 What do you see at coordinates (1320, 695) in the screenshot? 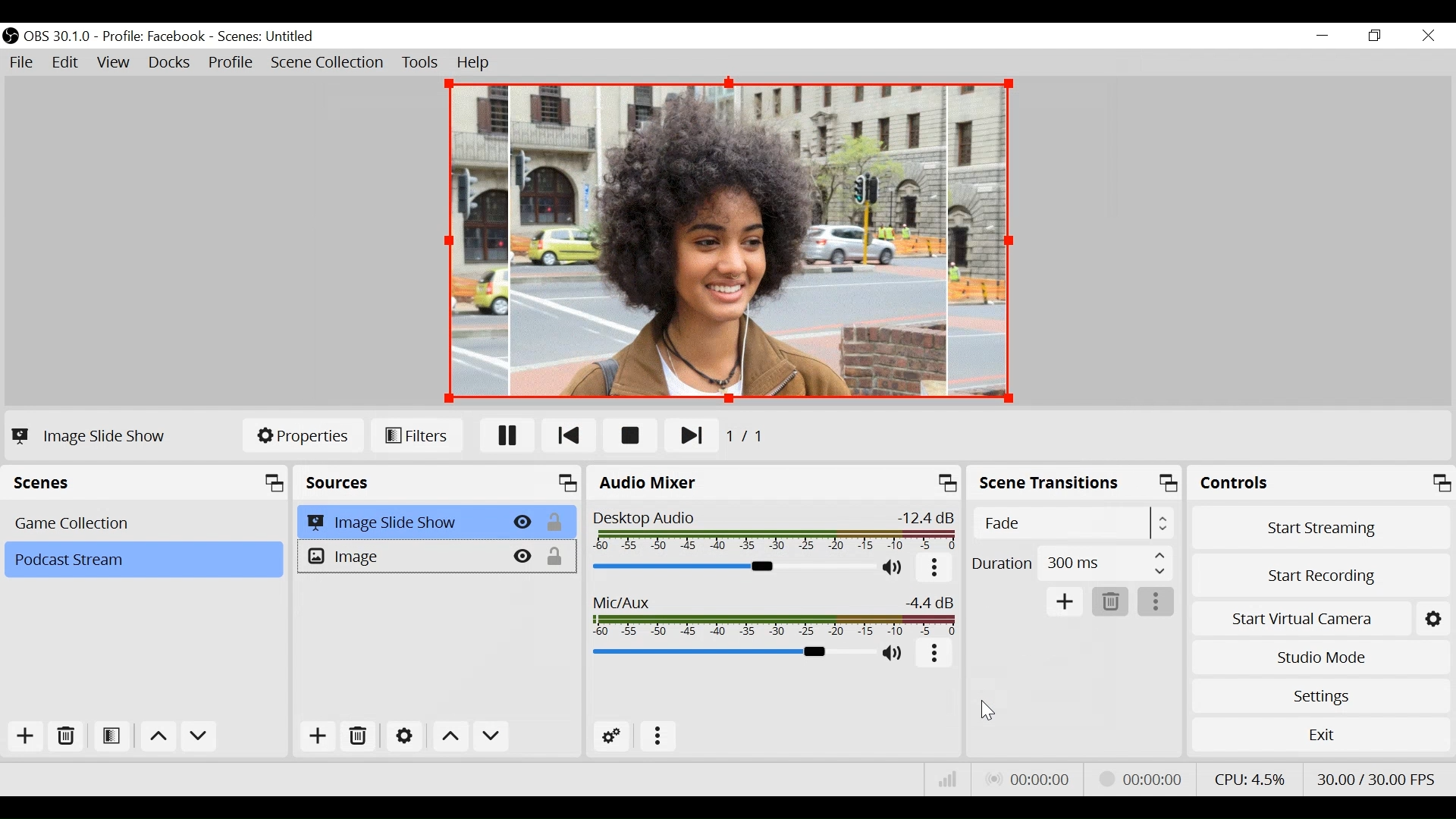
I see `Settings` at bounding box center [1320, 695].